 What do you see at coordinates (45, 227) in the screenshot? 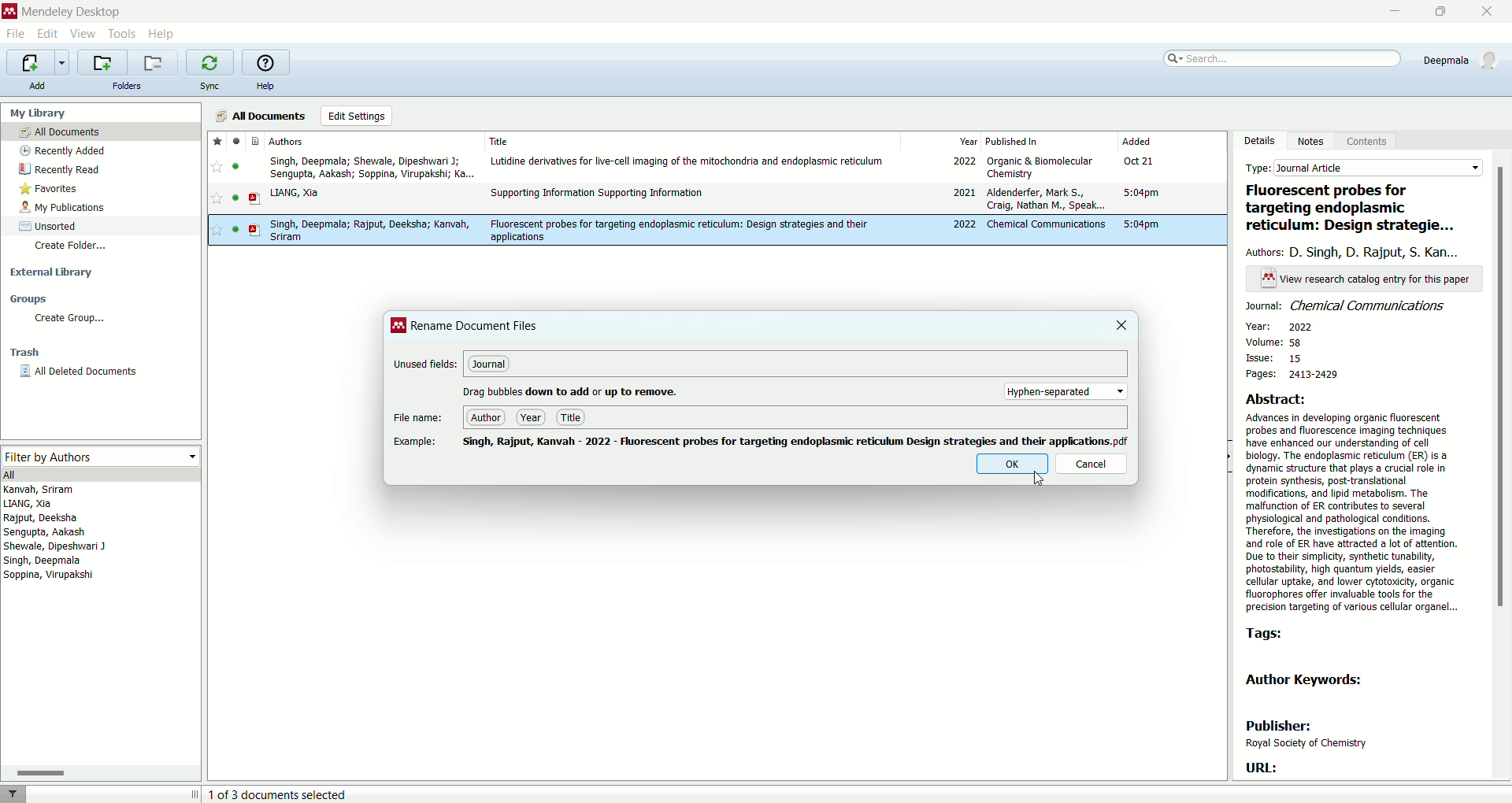
I see `unsorted` at bounding box center [45, 227].